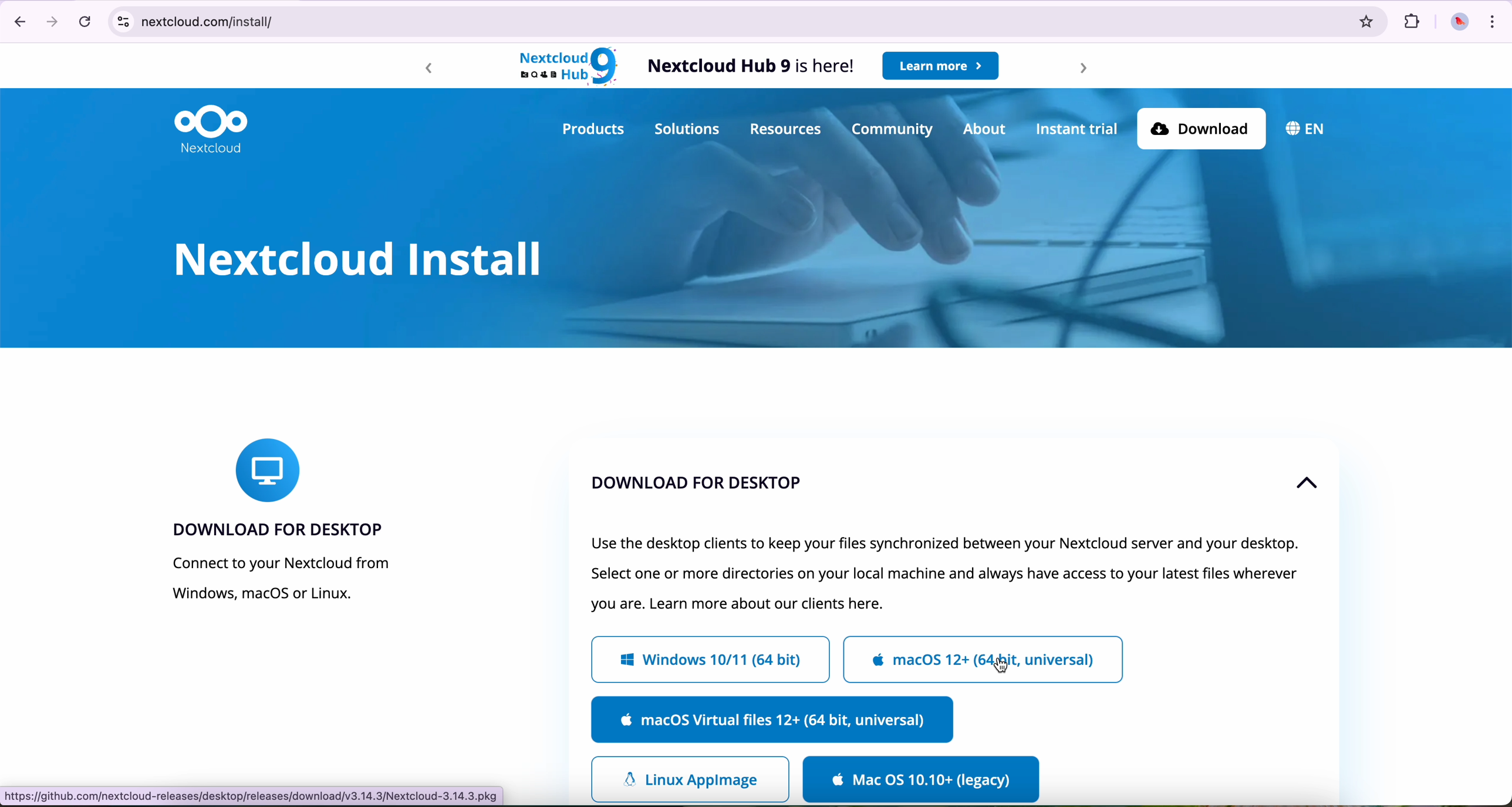 The image size is (1512, 807). What do you see at coordinates (939, 65) in the screenshot?
I see `learn more button` at bounding box center [939, 65].